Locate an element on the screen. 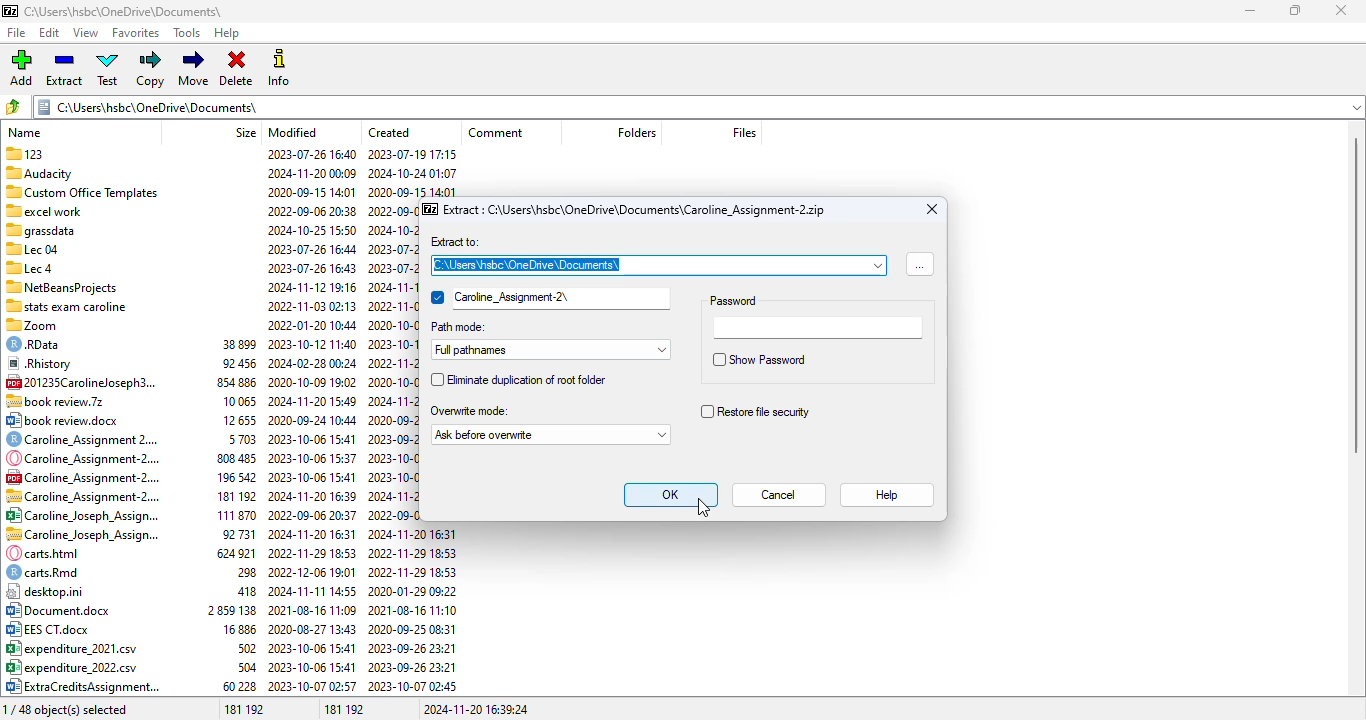 The image size is (1366, 720).  Caroline_Assignment-2.... 808485 2023-10-06 15:37 2023-10-06 15:35 is located at coordinates (232, 458).